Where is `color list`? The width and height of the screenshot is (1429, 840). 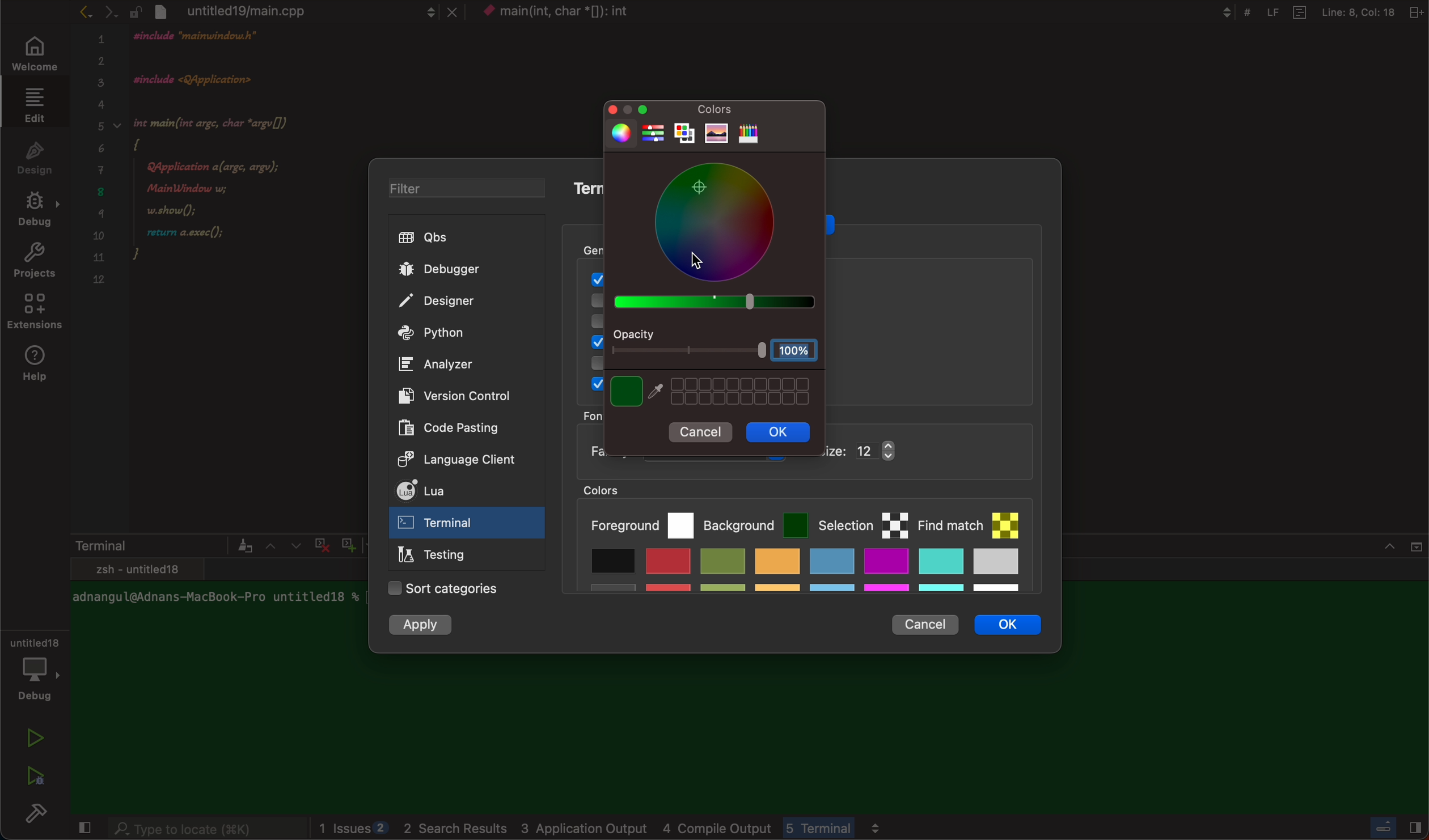
color list is located at coordinates (803, 574).